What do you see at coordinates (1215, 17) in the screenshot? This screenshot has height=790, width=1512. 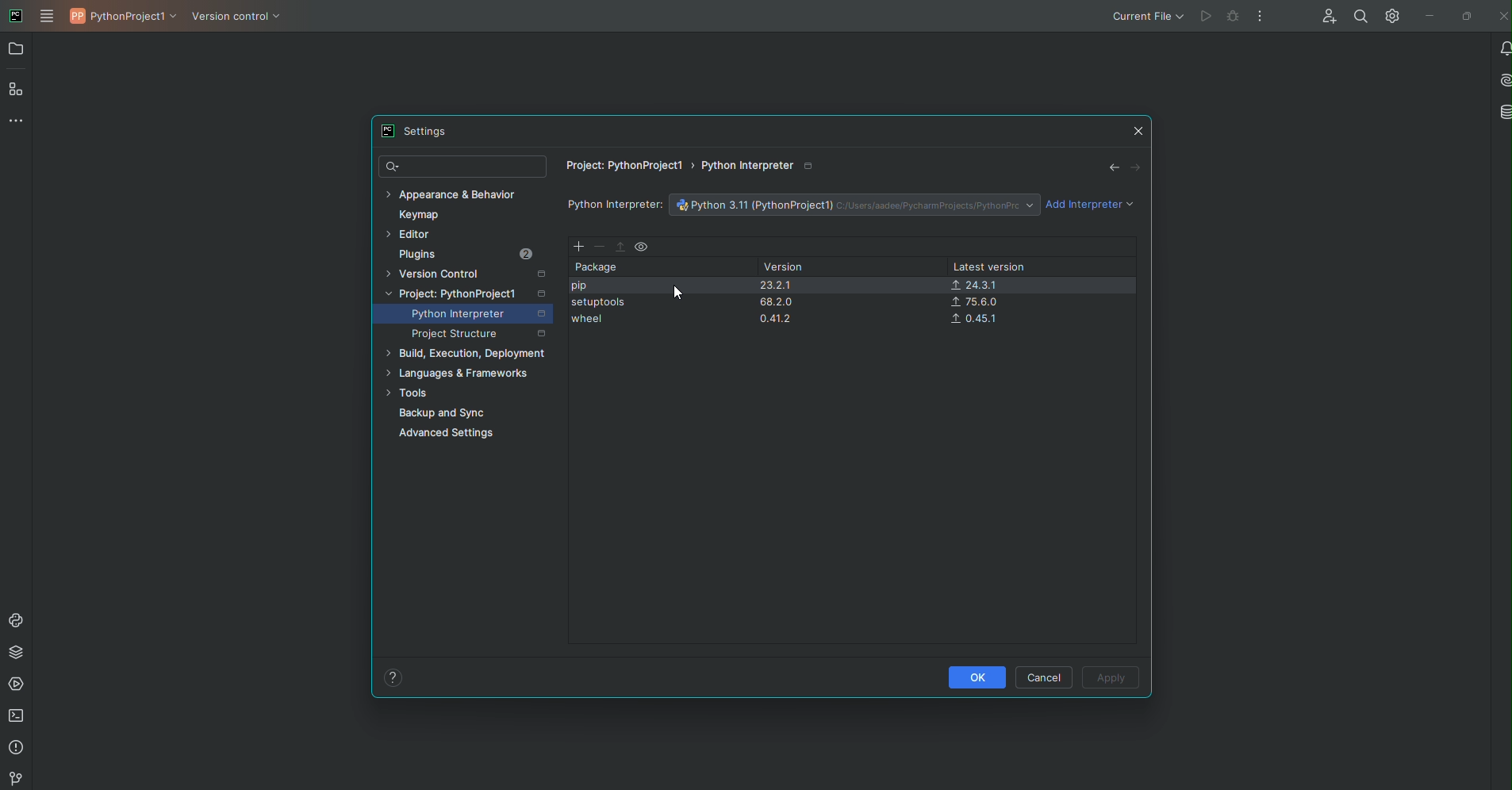 I see `Cannot run file` at bounding box center [1215, 17].